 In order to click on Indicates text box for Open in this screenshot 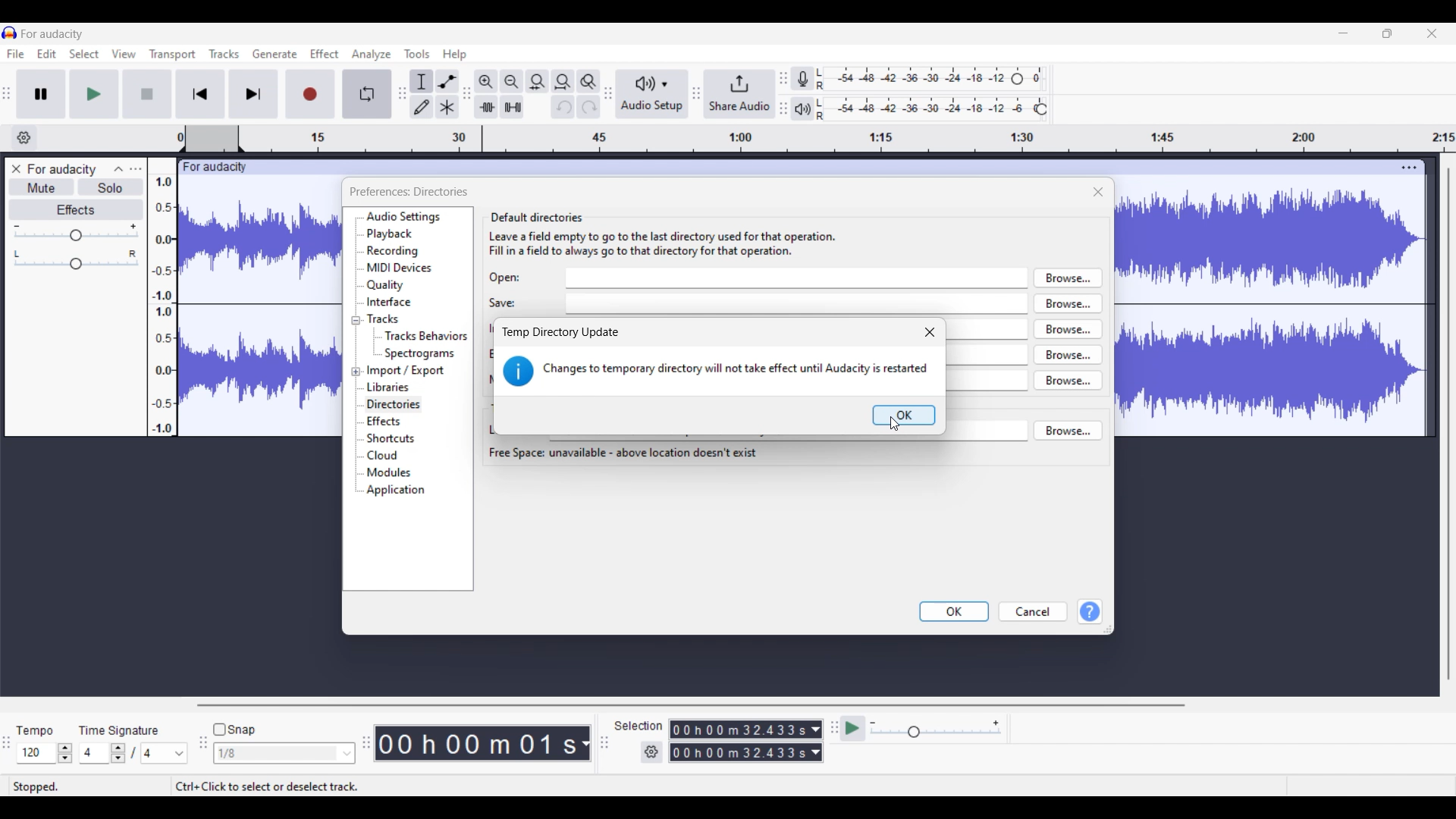, I will do `click(505, 278)`.